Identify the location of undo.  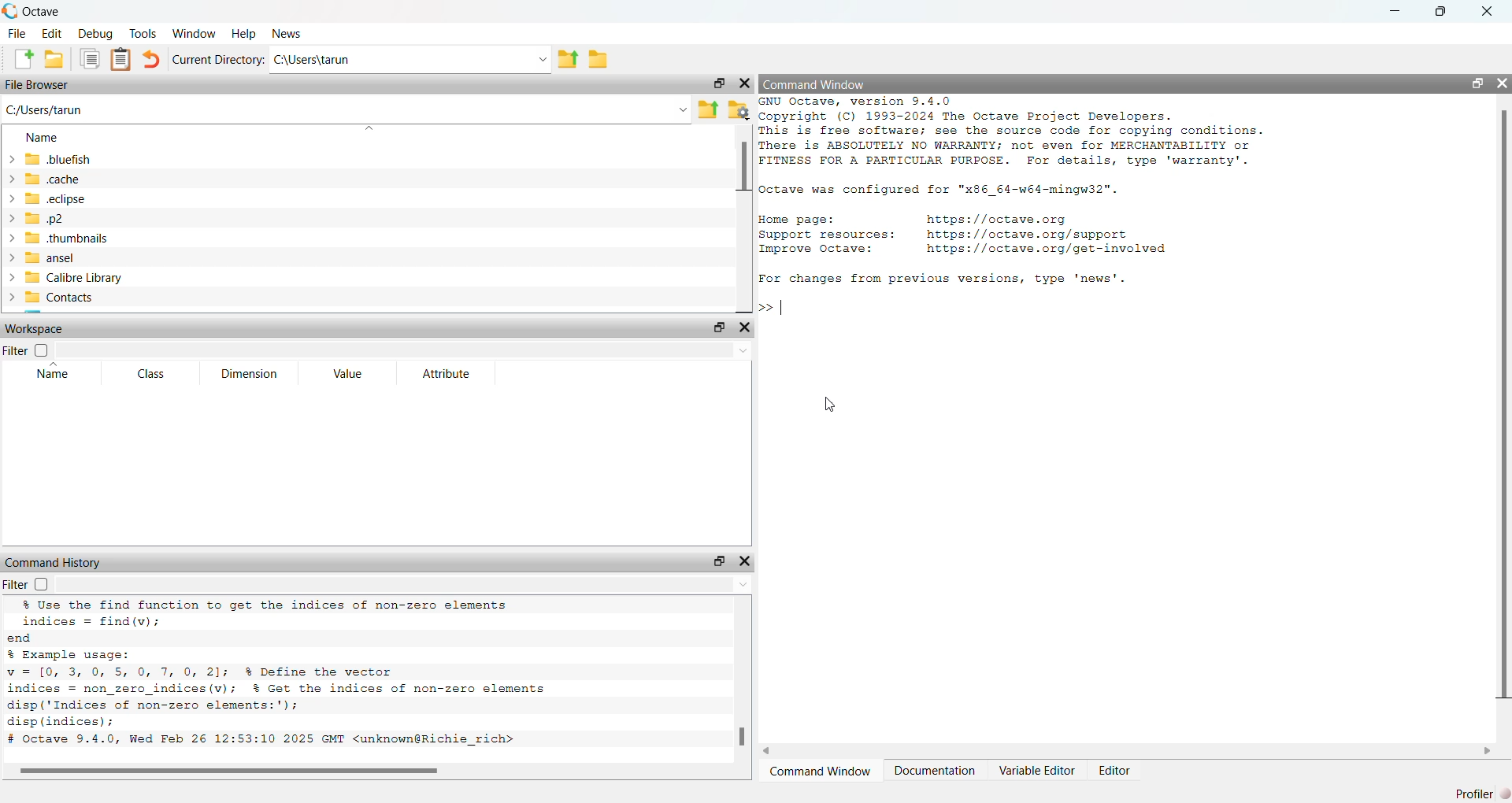
(154, 61).